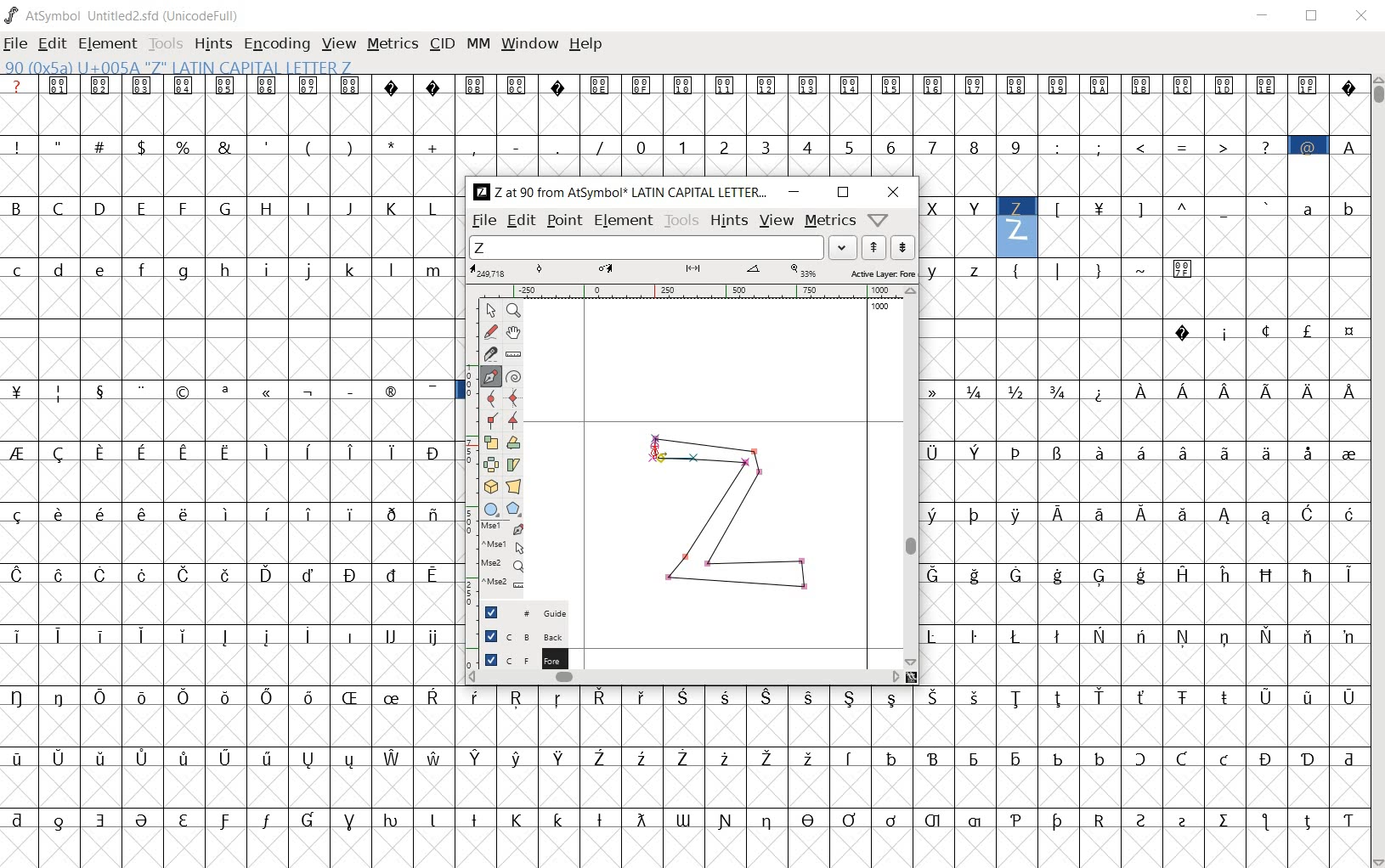  Describe the element at coordinates (178, 68) in the screenshot. I see `90(0x5a) U+005A "Z" LATIN CAPITAL LETTER Z` at that location.